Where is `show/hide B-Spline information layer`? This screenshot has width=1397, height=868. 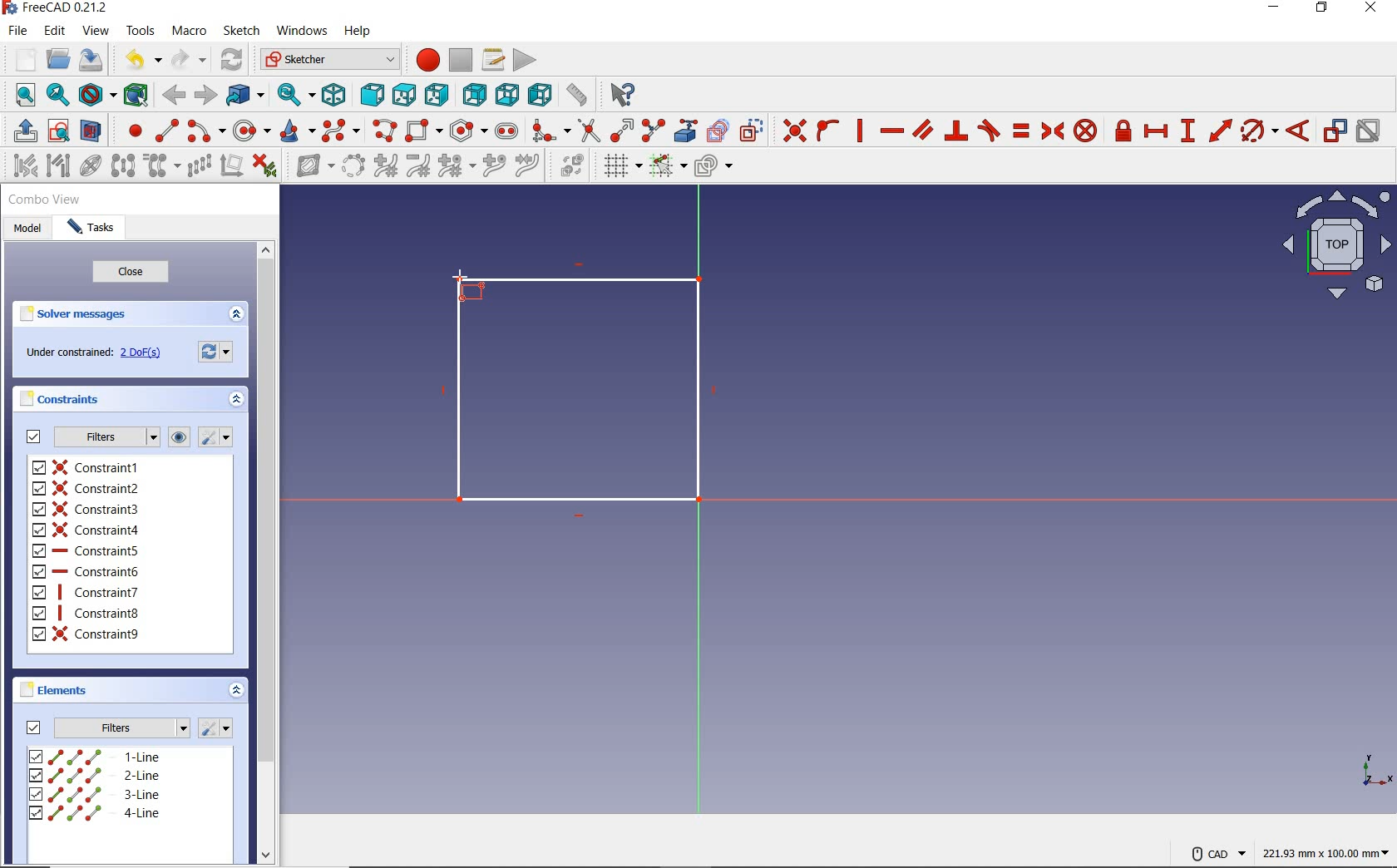
show/hide B-Spline information layer is located at coordinates (309, 167).